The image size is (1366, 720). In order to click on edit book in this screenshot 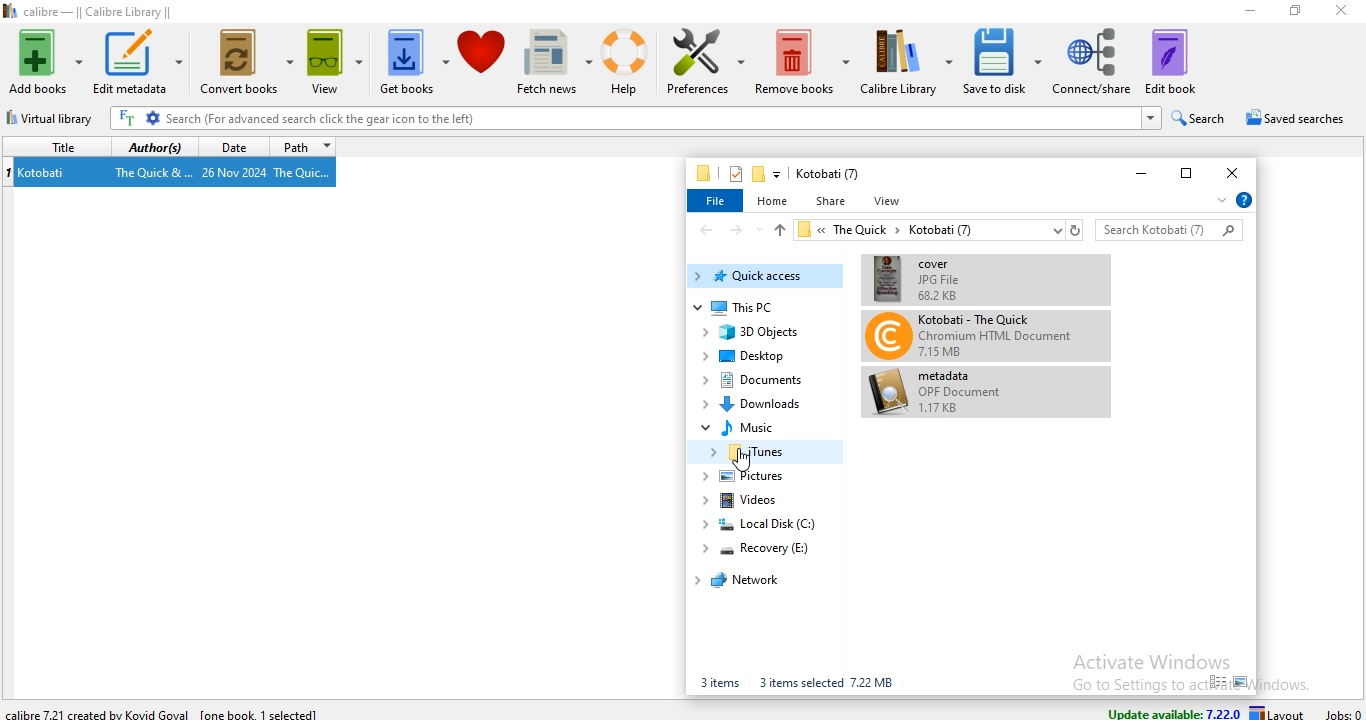, I will do `click(1171, 61)`.